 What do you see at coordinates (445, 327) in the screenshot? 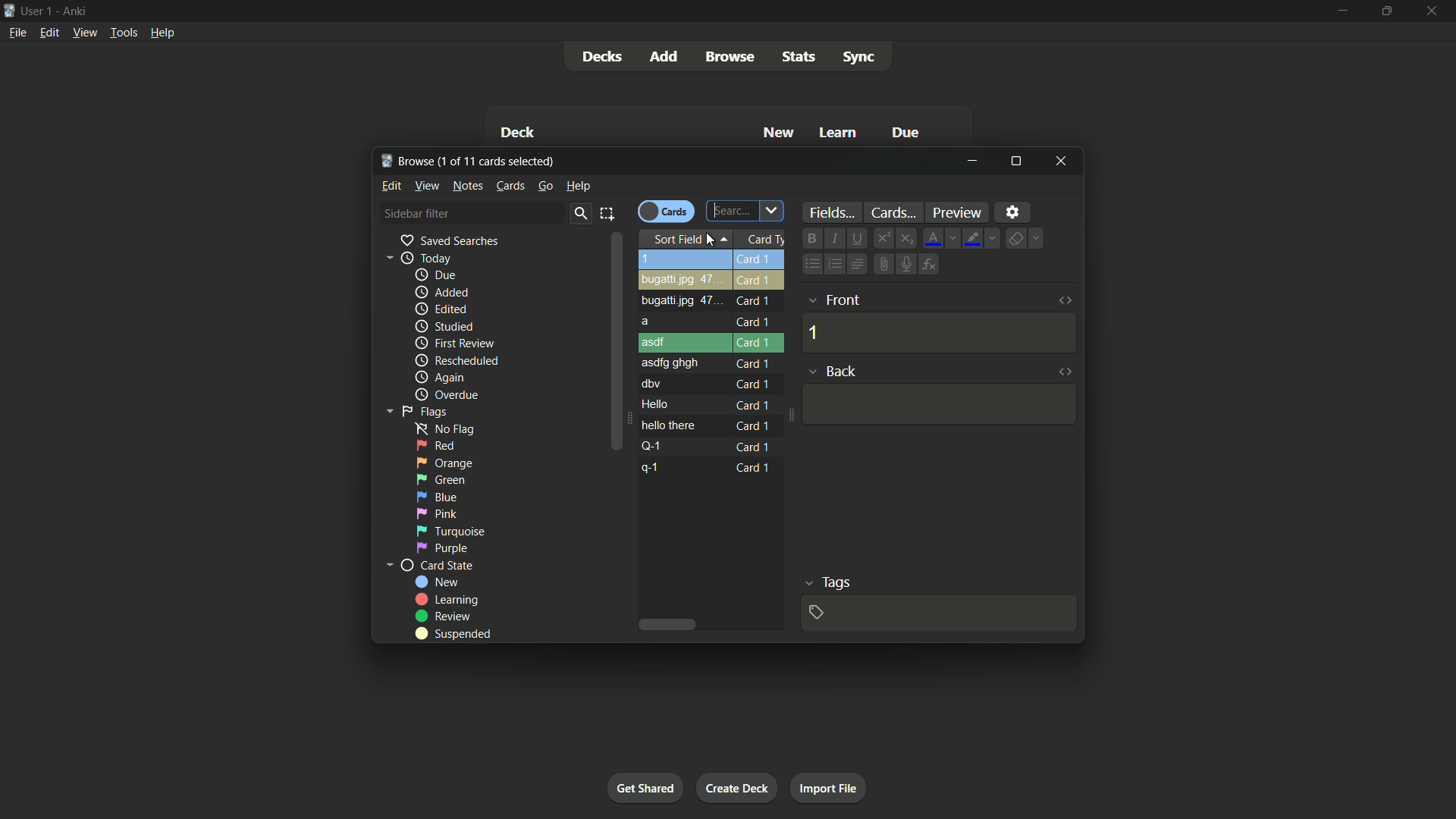
I see `studied` at bounding box center [445, 327].